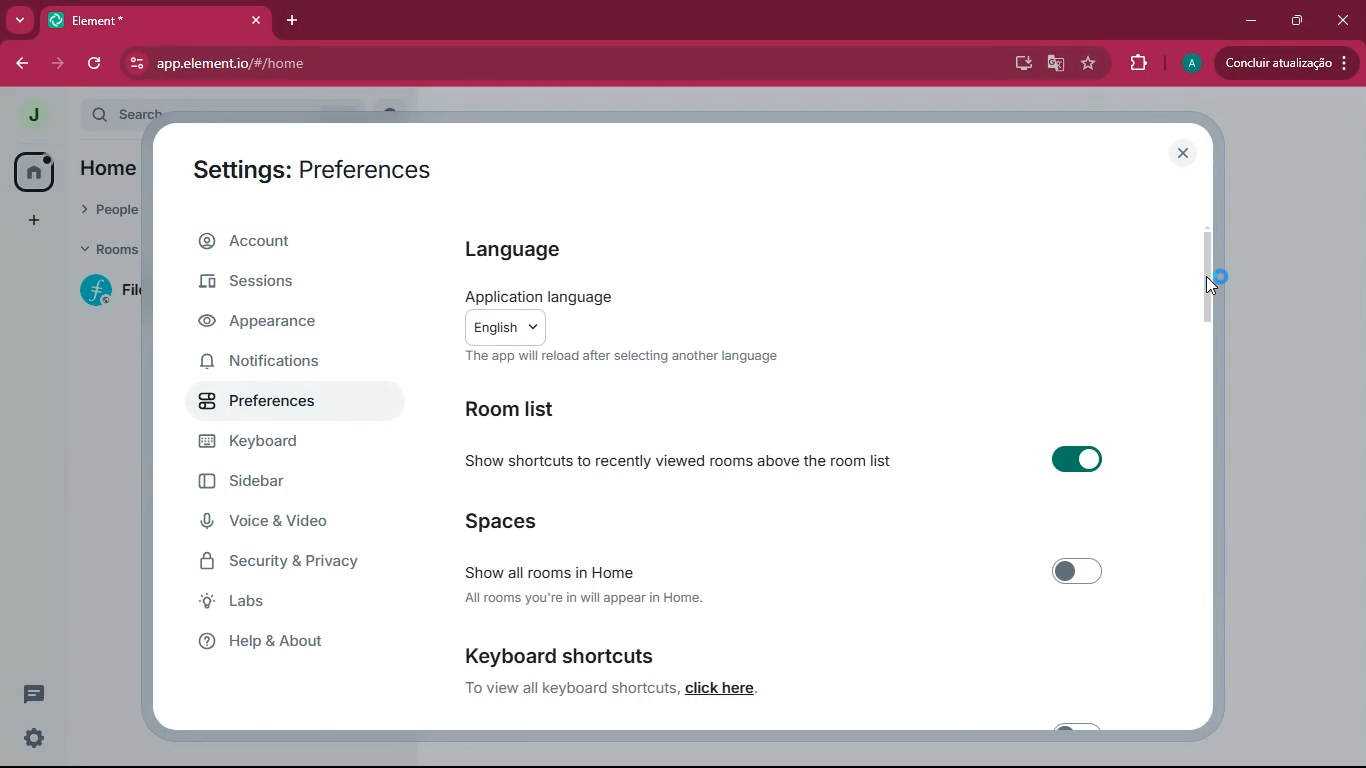 This screenshot has width=1366, height=768. Describe the element at coordinates (271, 442) in the screenshot. I see `Keyboard` at that location.